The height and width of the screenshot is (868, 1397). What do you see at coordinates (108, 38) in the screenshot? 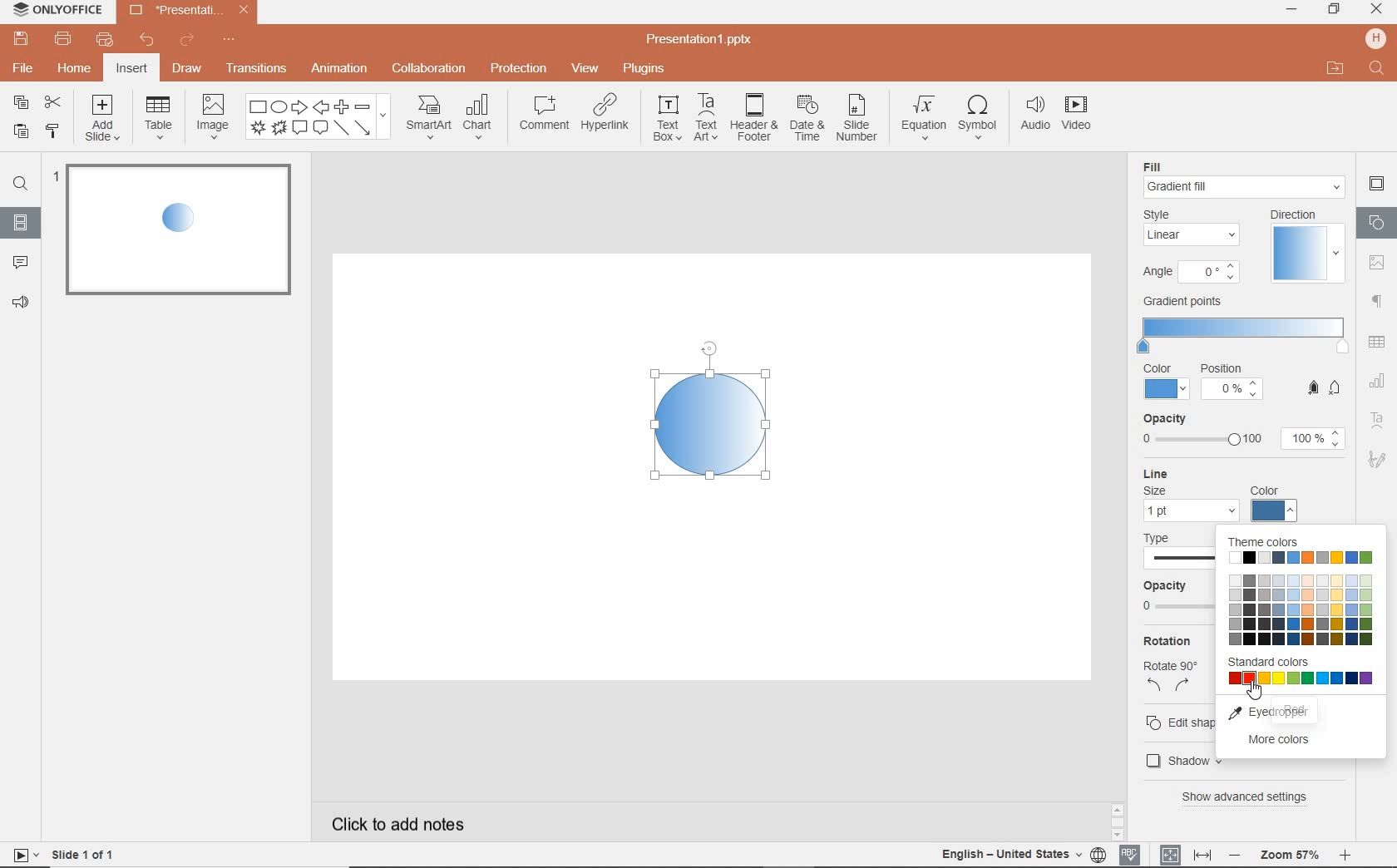
I see `quick print` at bounding box center [108, 38].